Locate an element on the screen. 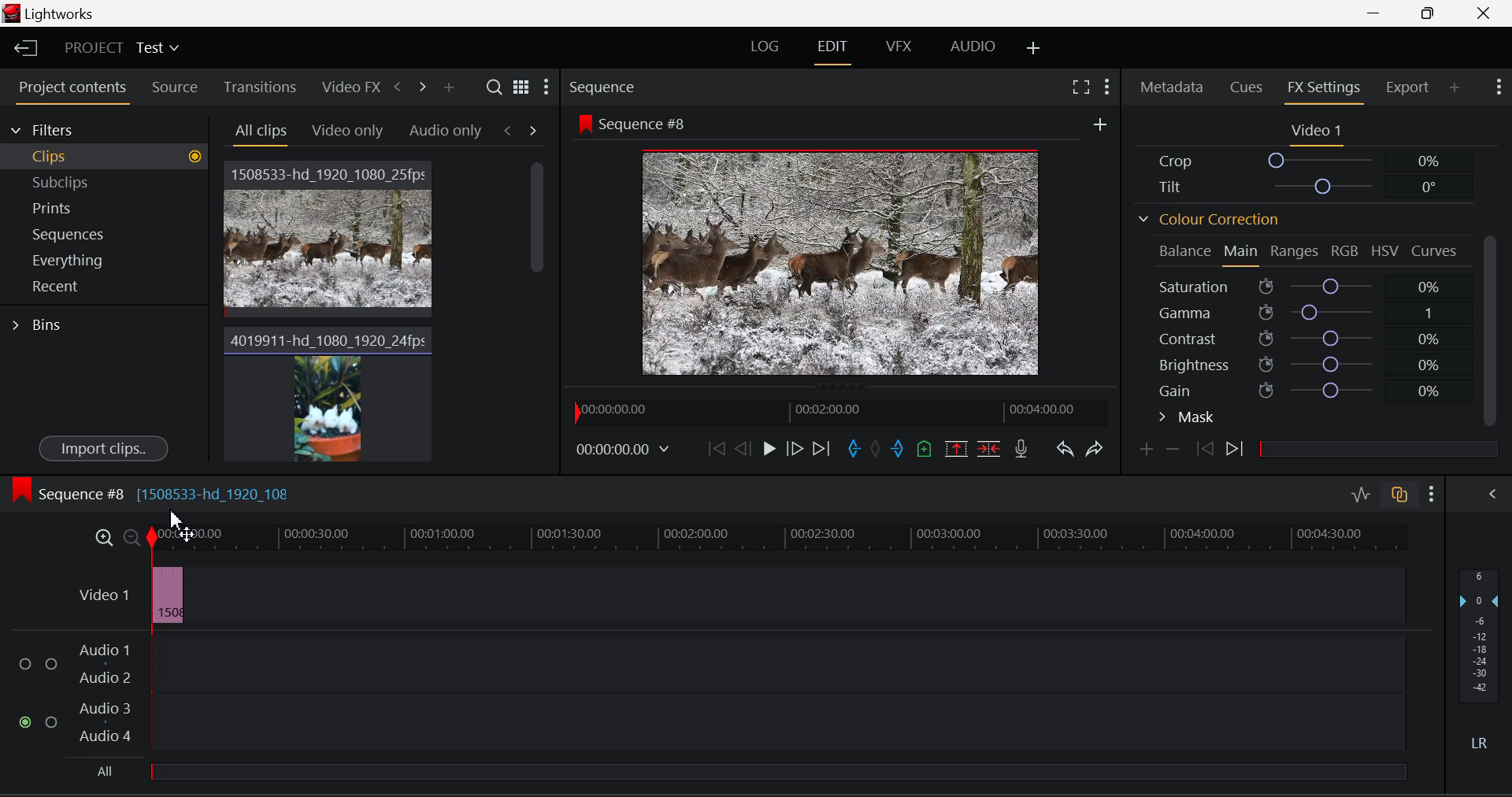 The image size is (1512, 797). Mask is located at coordinates (1187, 417).